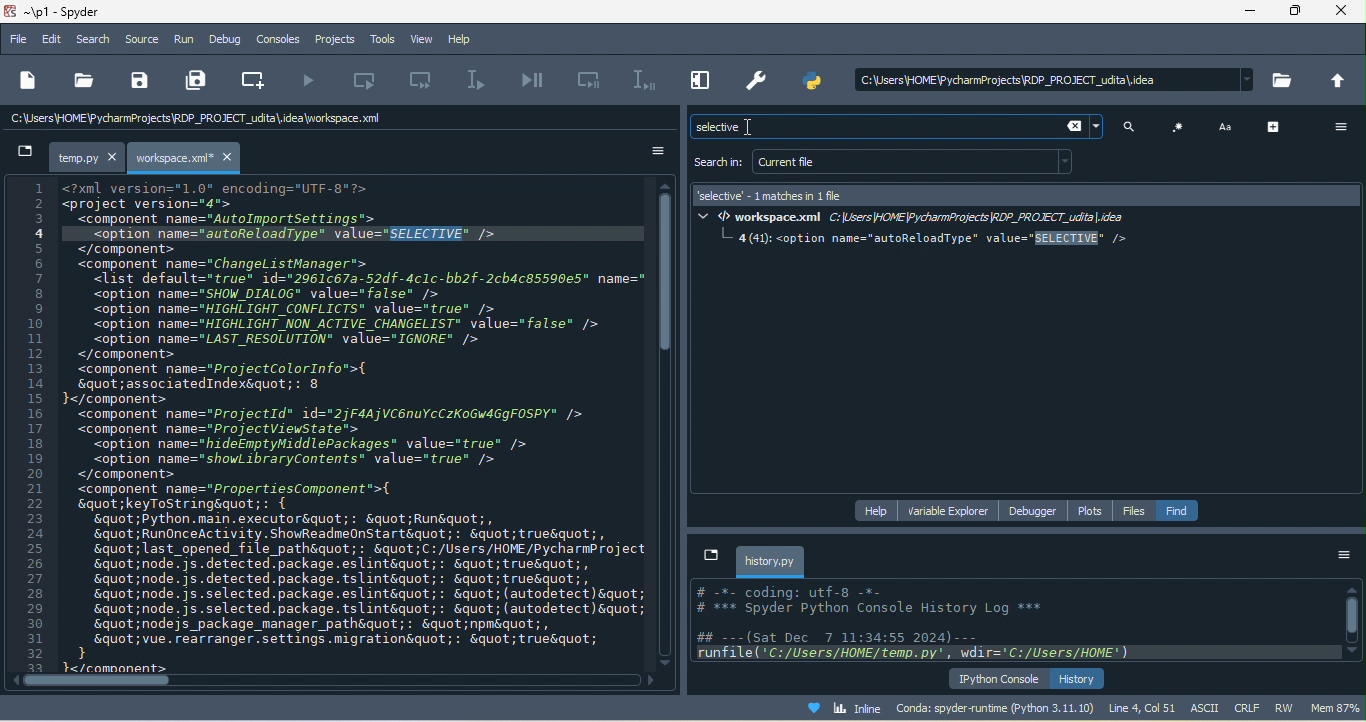 The width and height of the screenshot is (1366, 722). I want to click on browse tabs, so click(24, 155).